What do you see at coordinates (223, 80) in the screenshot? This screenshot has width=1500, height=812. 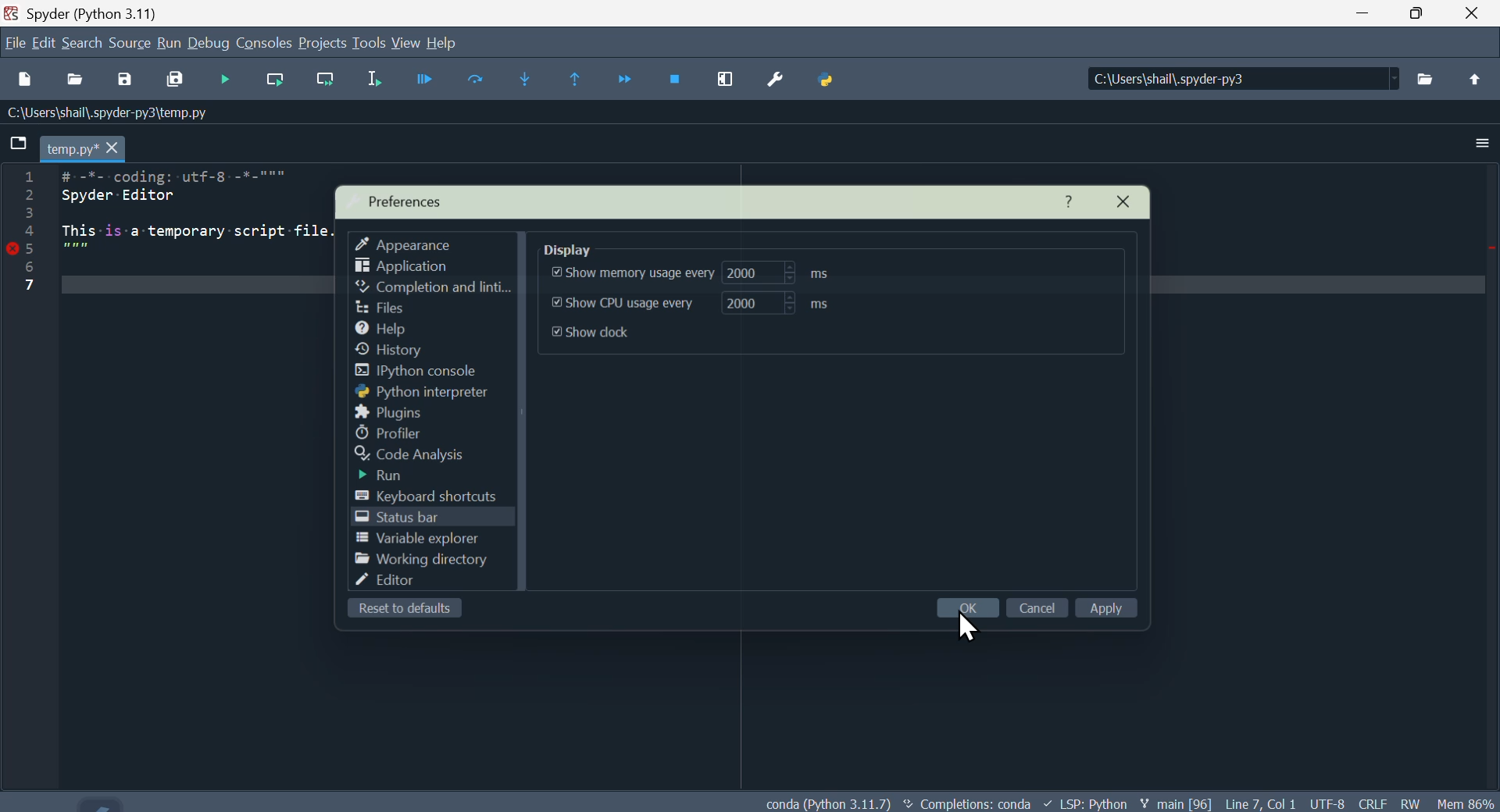 I see `Debug file` at bounding box center [223, 80].